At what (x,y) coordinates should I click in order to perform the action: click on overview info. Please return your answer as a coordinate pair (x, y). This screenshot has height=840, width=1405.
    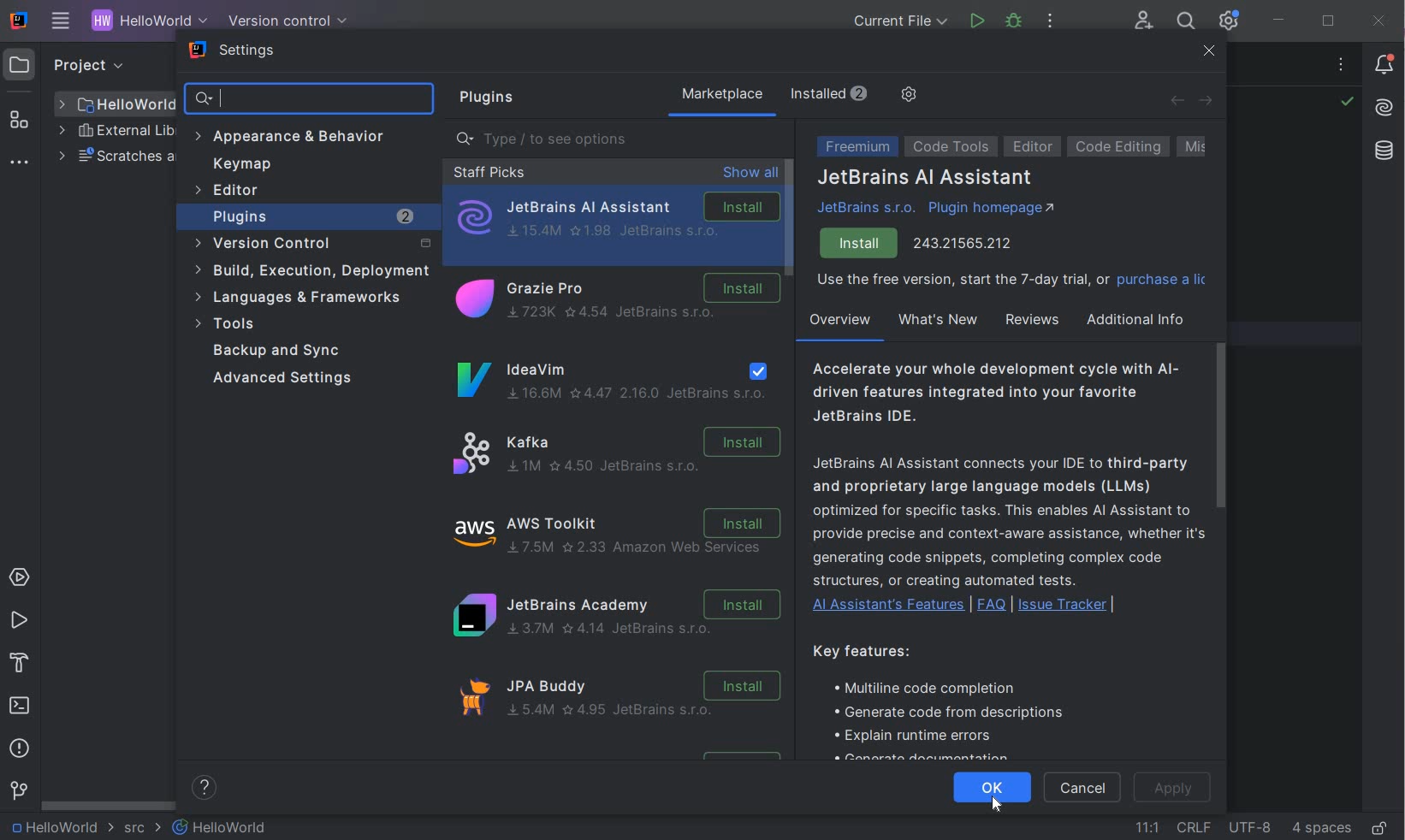
    Looking at the image, I should click on (1006, 489).